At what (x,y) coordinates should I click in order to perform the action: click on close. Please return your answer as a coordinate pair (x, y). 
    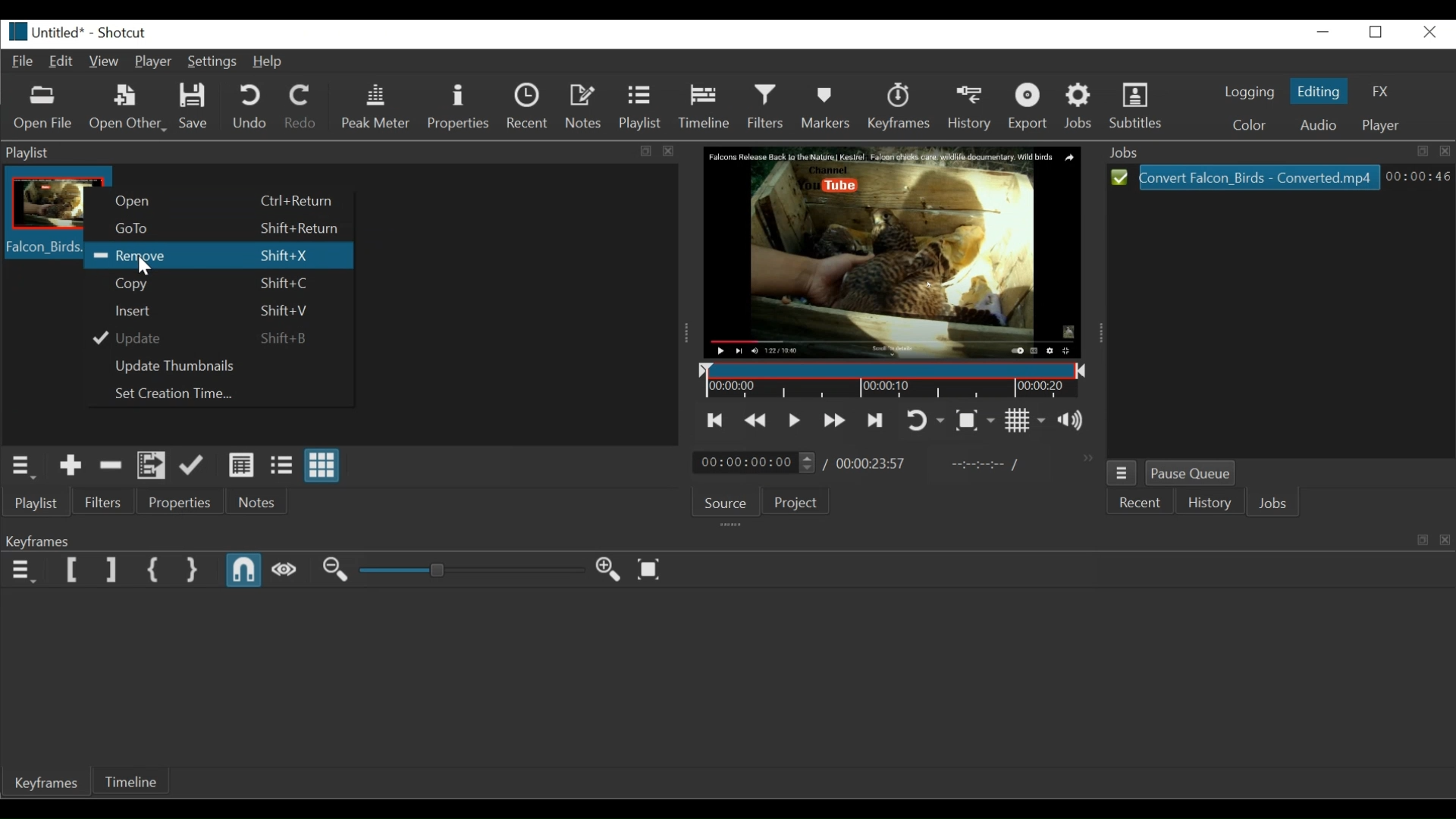
    Looking at the image, I should click on (1446, 544).